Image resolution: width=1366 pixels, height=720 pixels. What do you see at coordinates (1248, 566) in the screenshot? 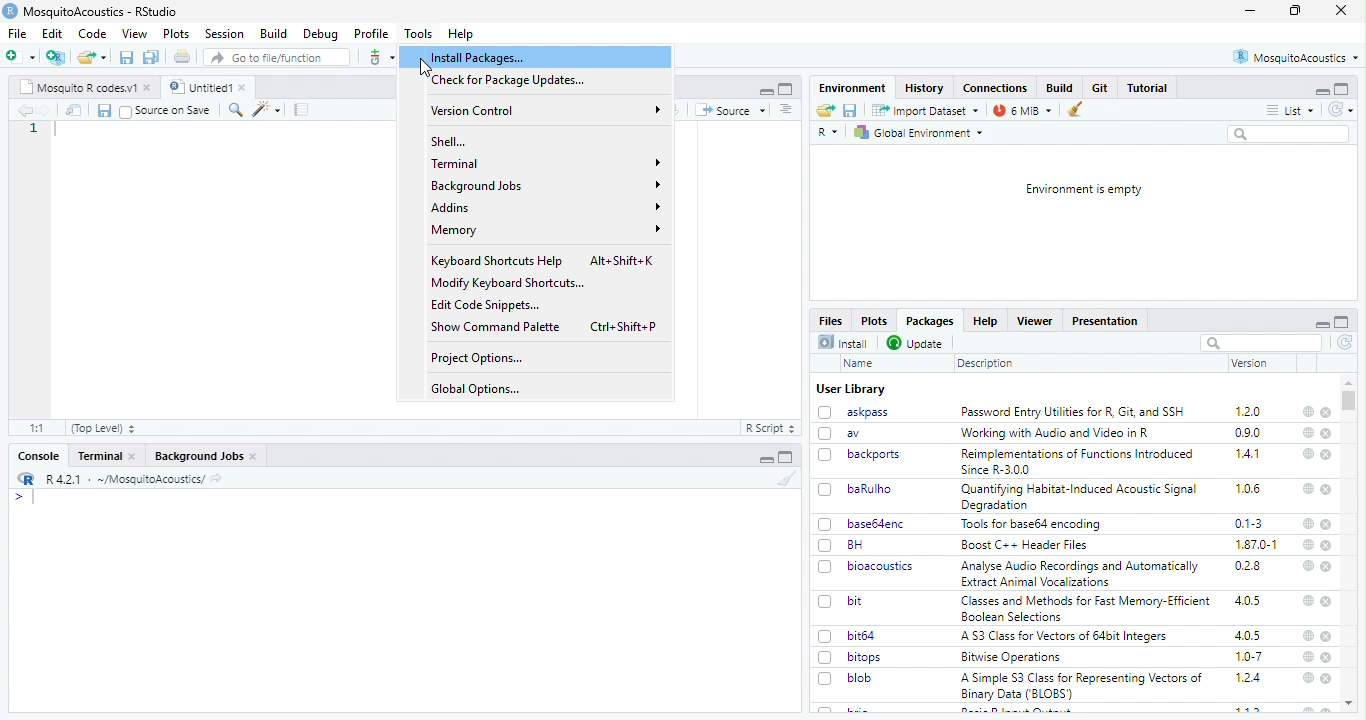
I see `028` at bounding box center [1248, 566].